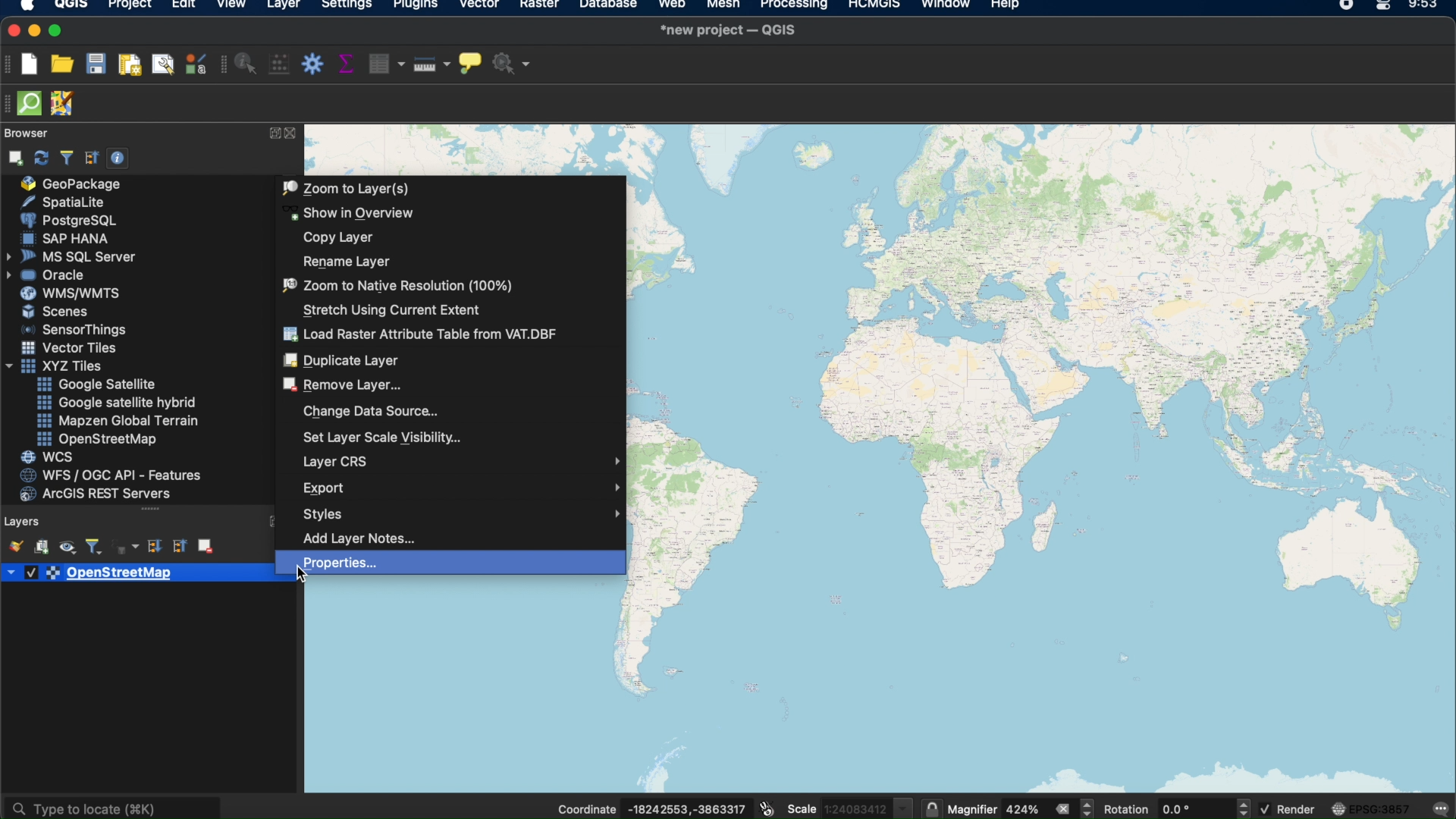 The image size is (1456, 819). I want to click on xyz tiles, so click(58, 366).